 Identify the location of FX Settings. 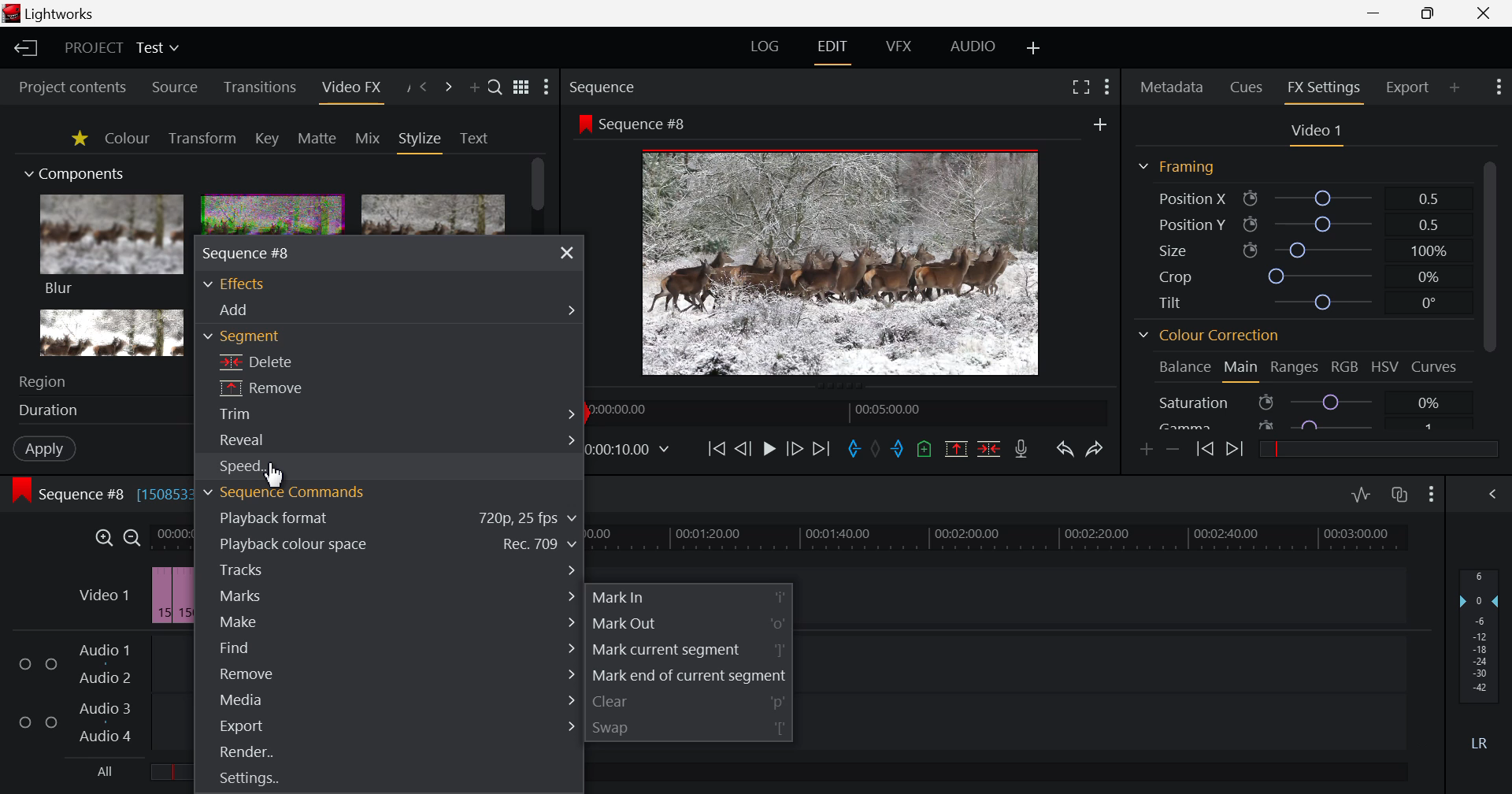
(1323, 90).